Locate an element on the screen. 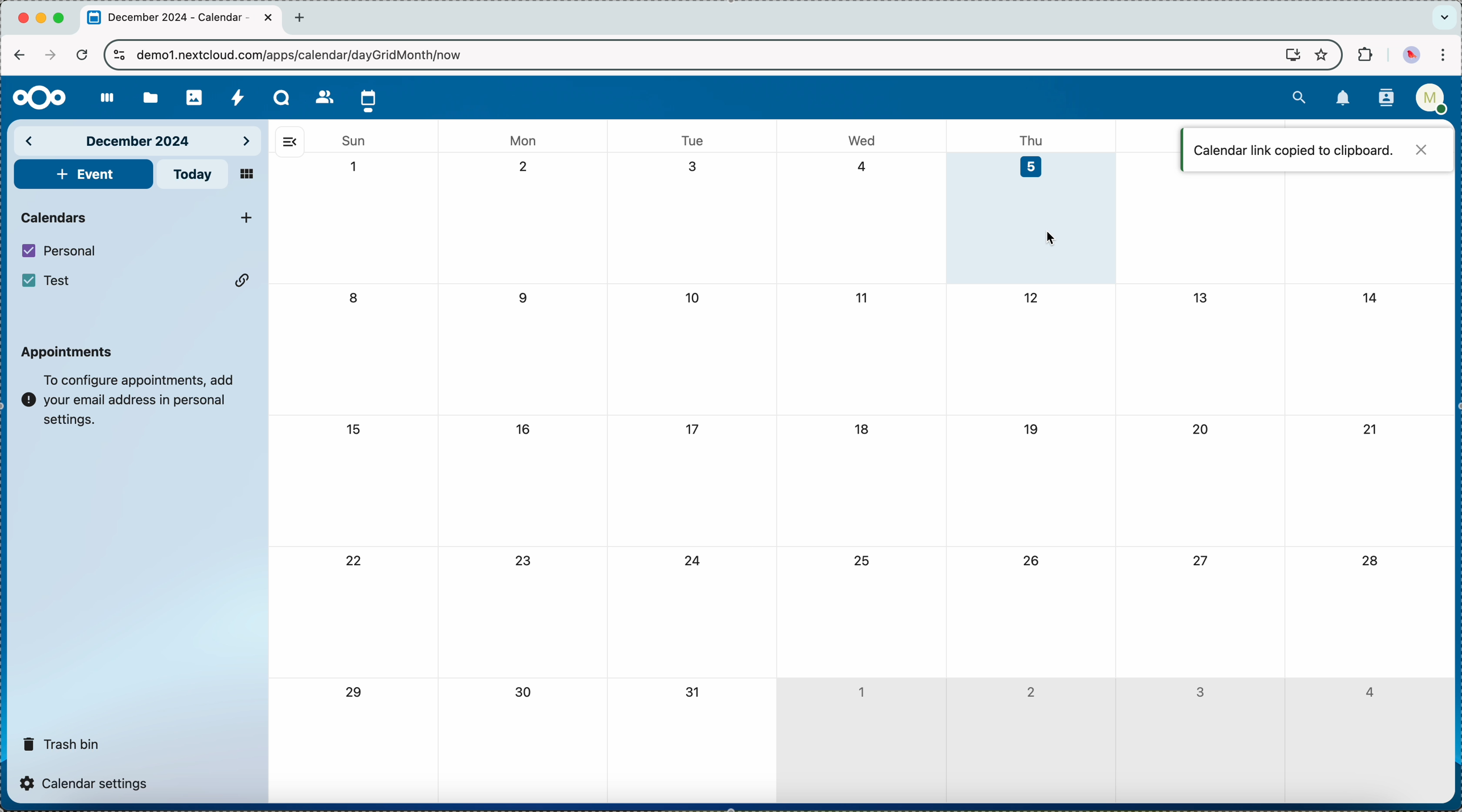 The image size is (1462, 812). trash bin is located at coordinates (62, 740).